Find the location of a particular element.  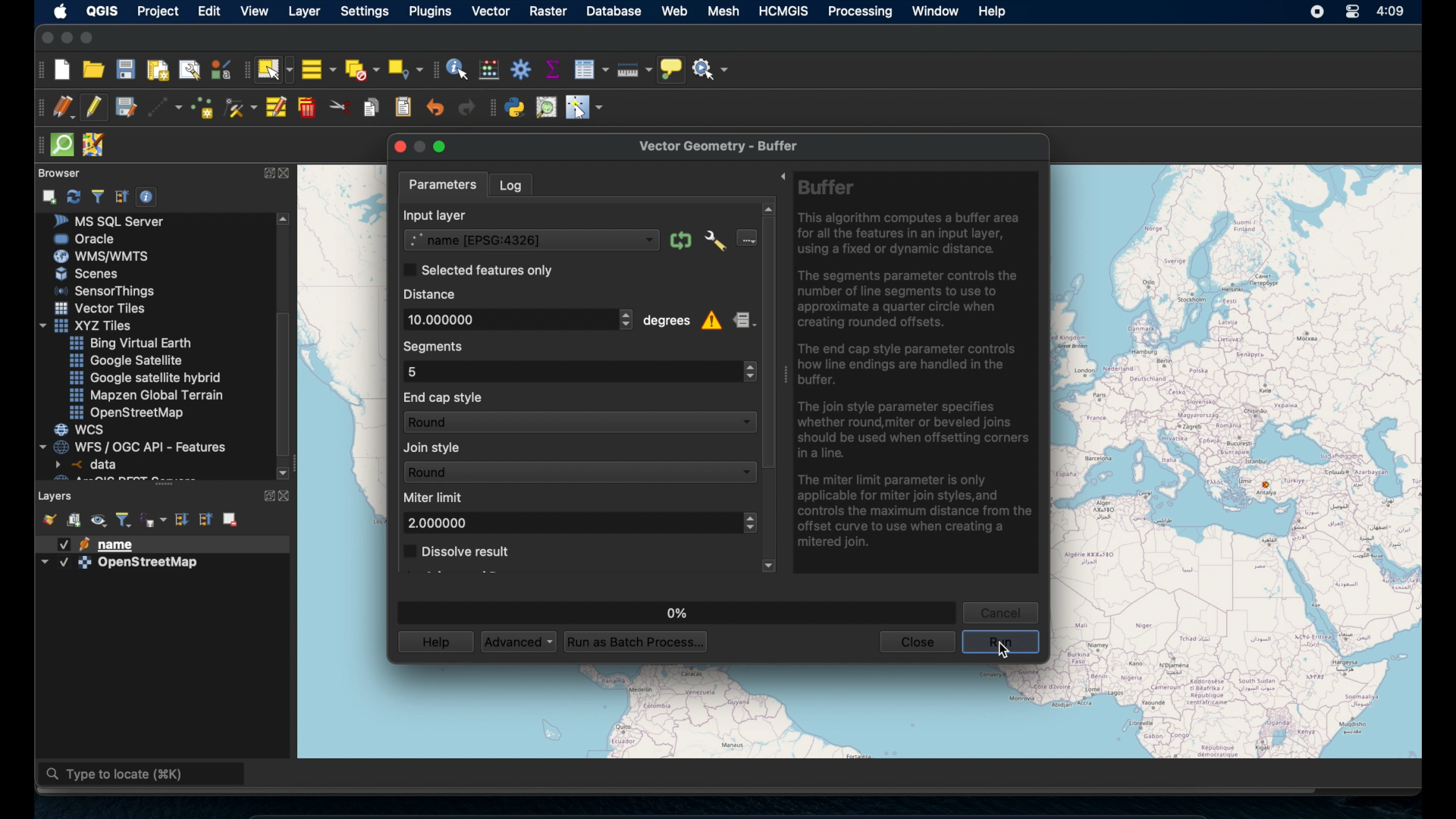

copy features is located at coordinates (371, 106).